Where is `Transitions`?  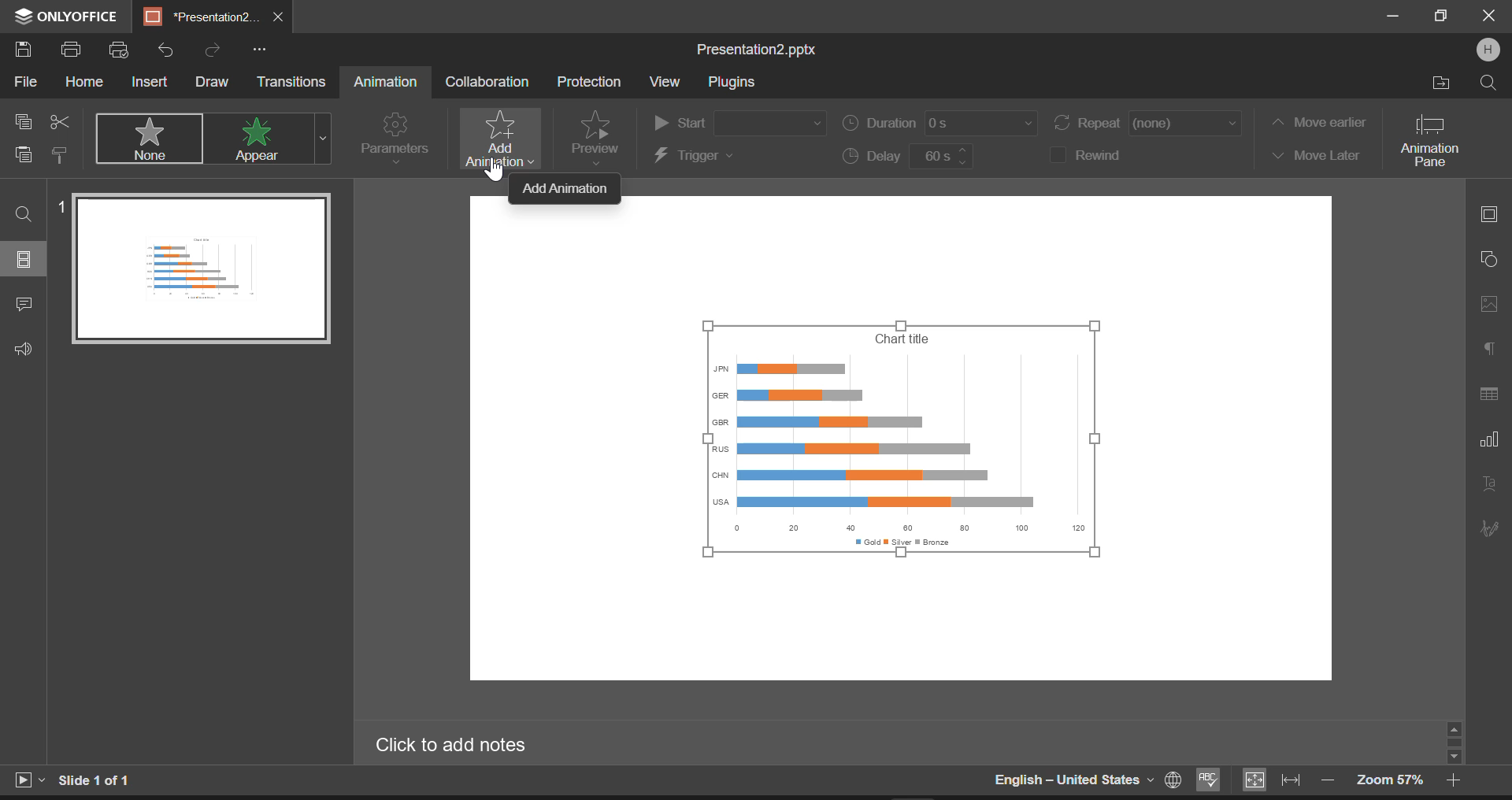 Transitions is located at coordinates (293, 82).